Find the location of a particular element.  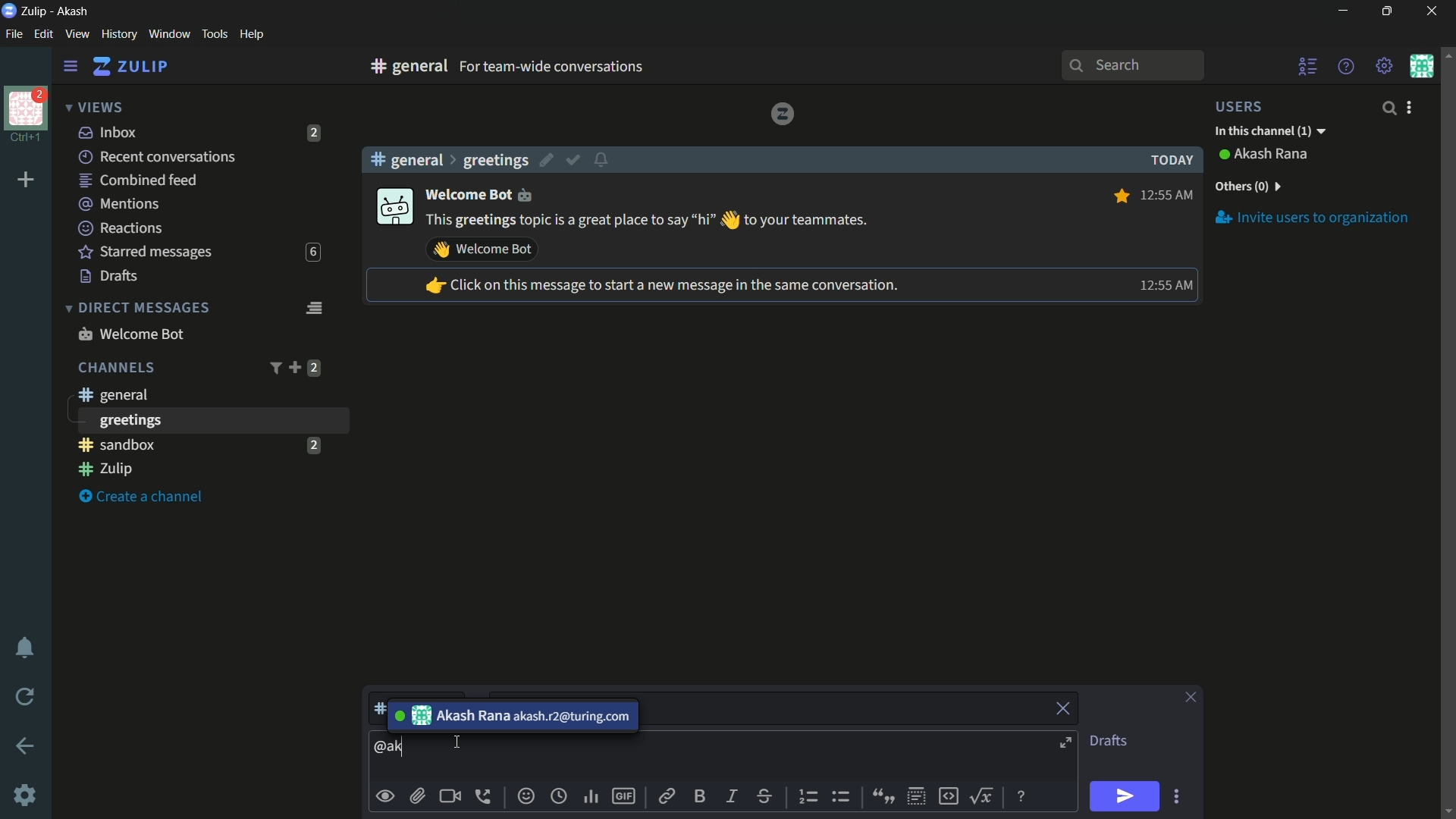

close app is located at coordinates (1429, 11).